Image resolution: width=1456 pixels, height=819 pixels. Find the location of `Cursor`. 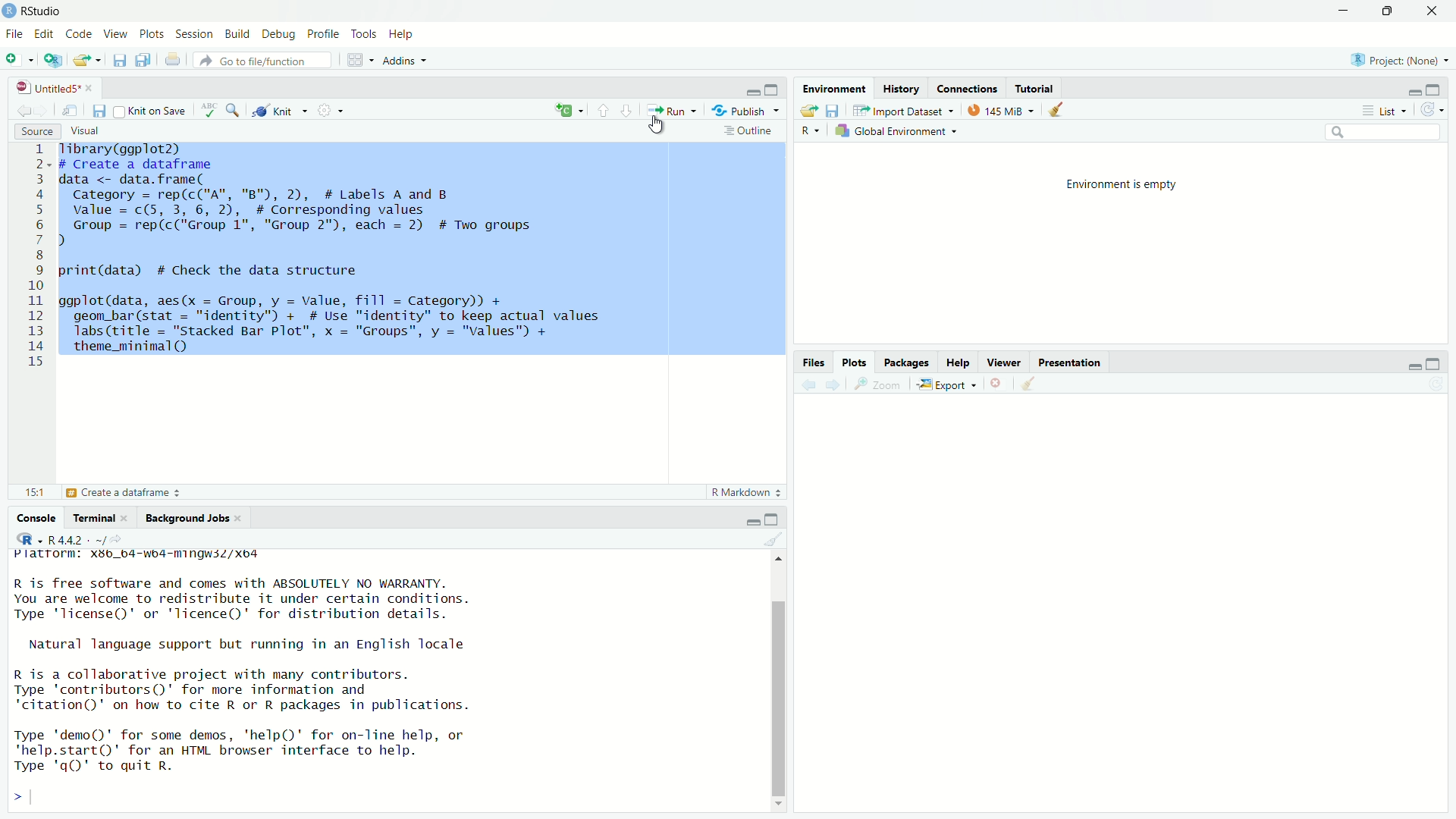

Cursor is located at coordinates (653, 129).